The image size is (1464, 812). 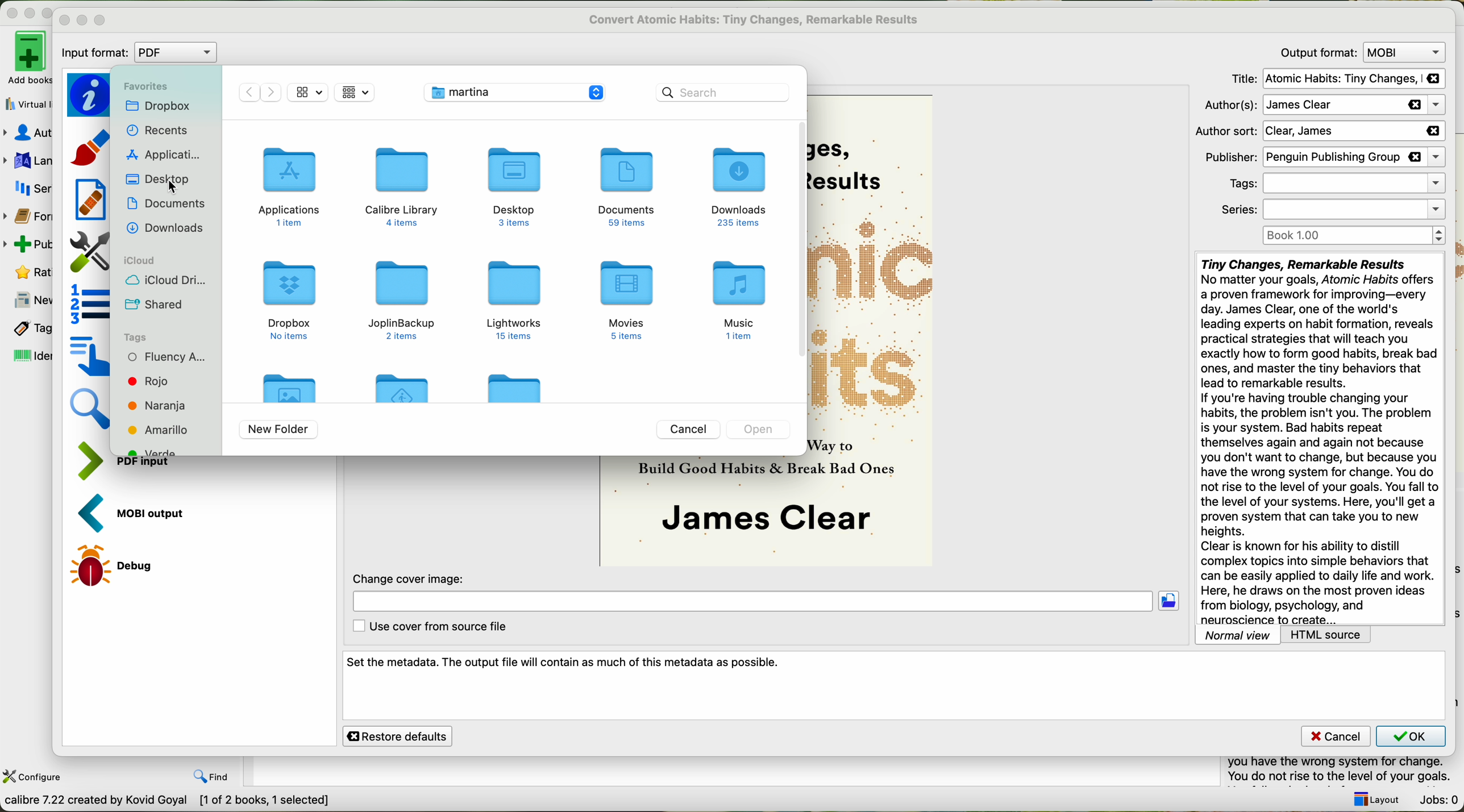 I want to click on authors, so click(x=27, y=132).